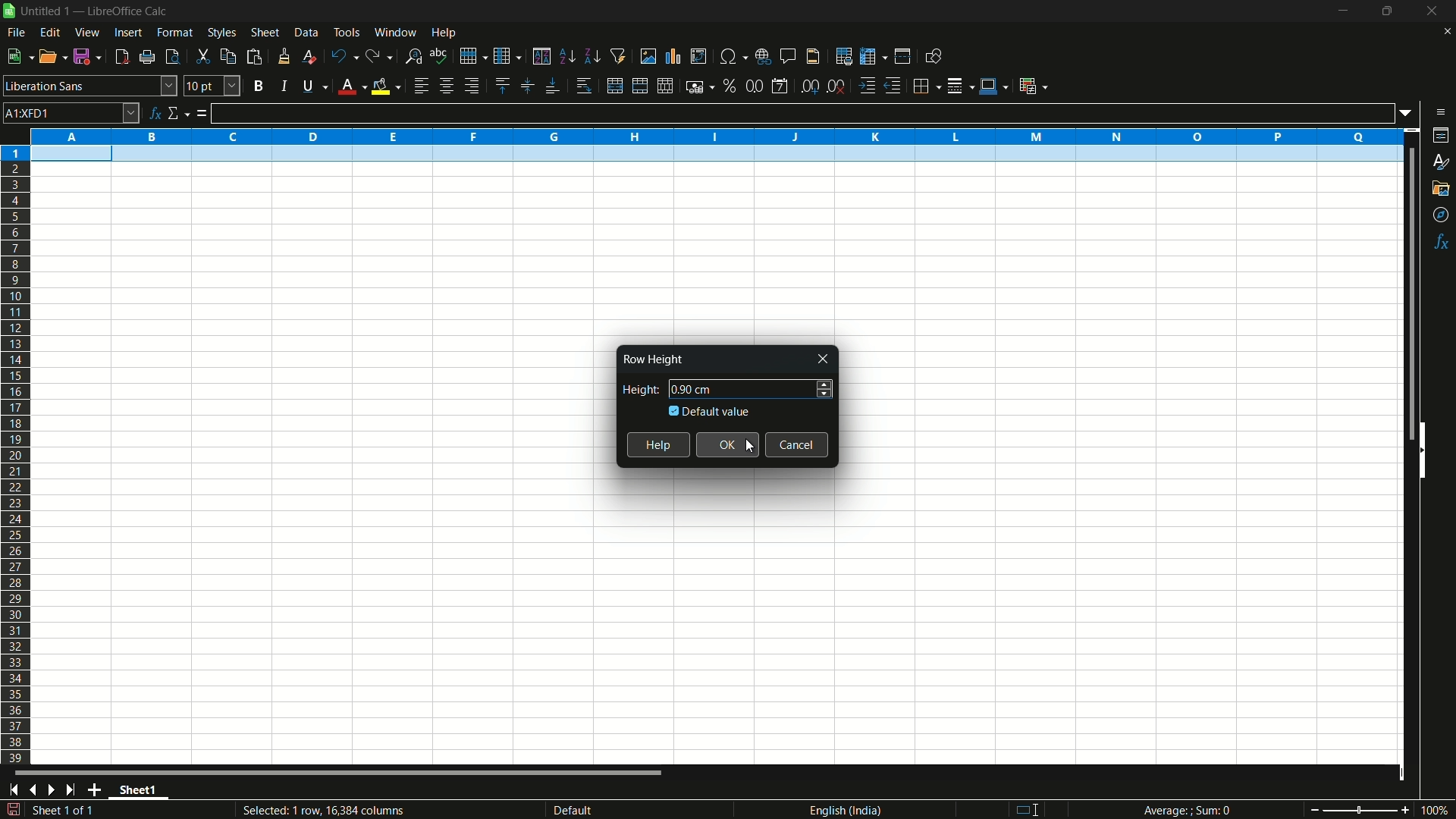 This screenshot has height=819, width=1456. Describe the element at coordinates (121, 57) in the screenshot. I see `export directly as pdf` at that location.